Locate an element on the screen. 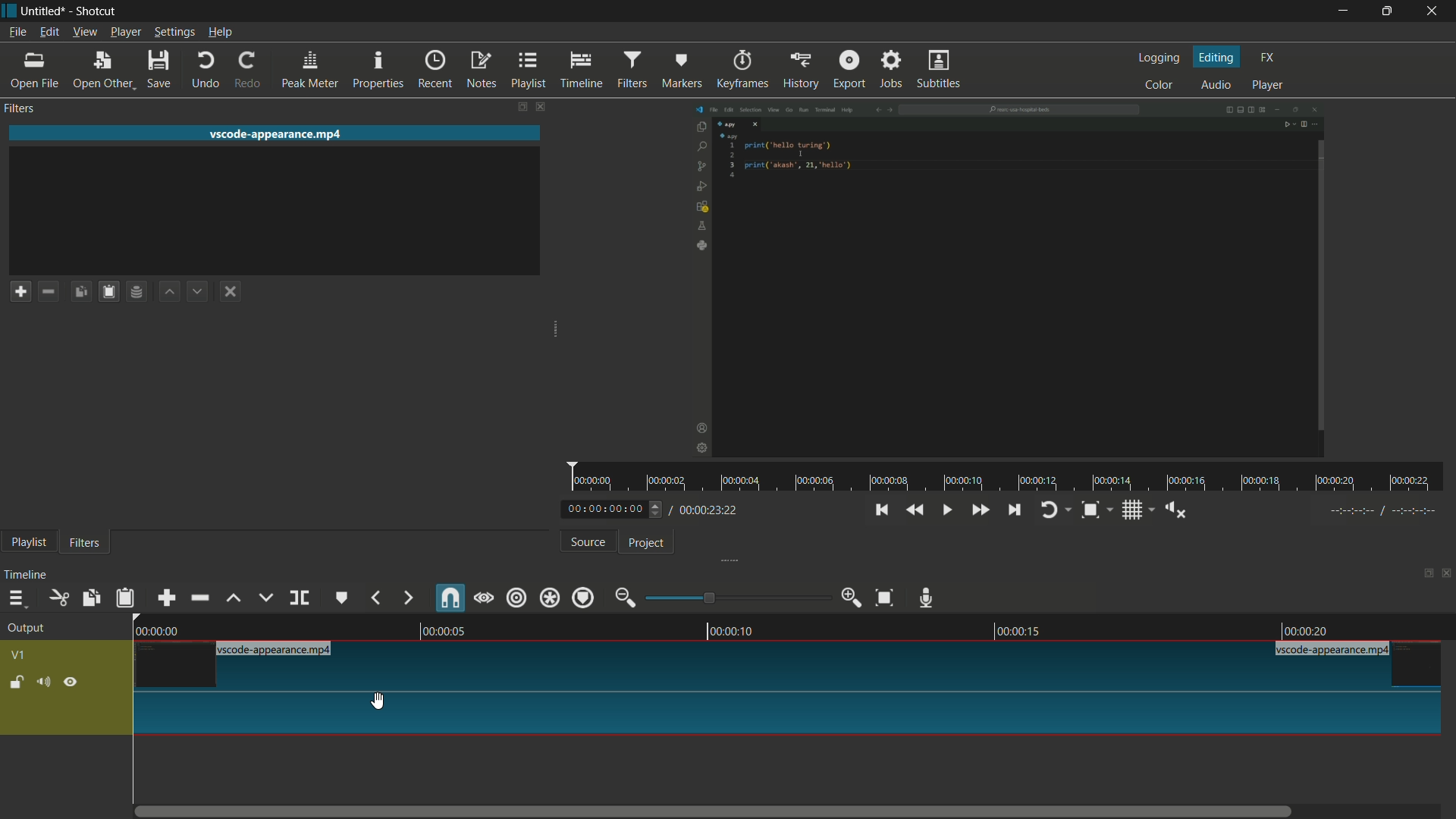 Image resolution: width=1456 pixels, height=819 pixels. timeline is located at coordinates (579, 69).